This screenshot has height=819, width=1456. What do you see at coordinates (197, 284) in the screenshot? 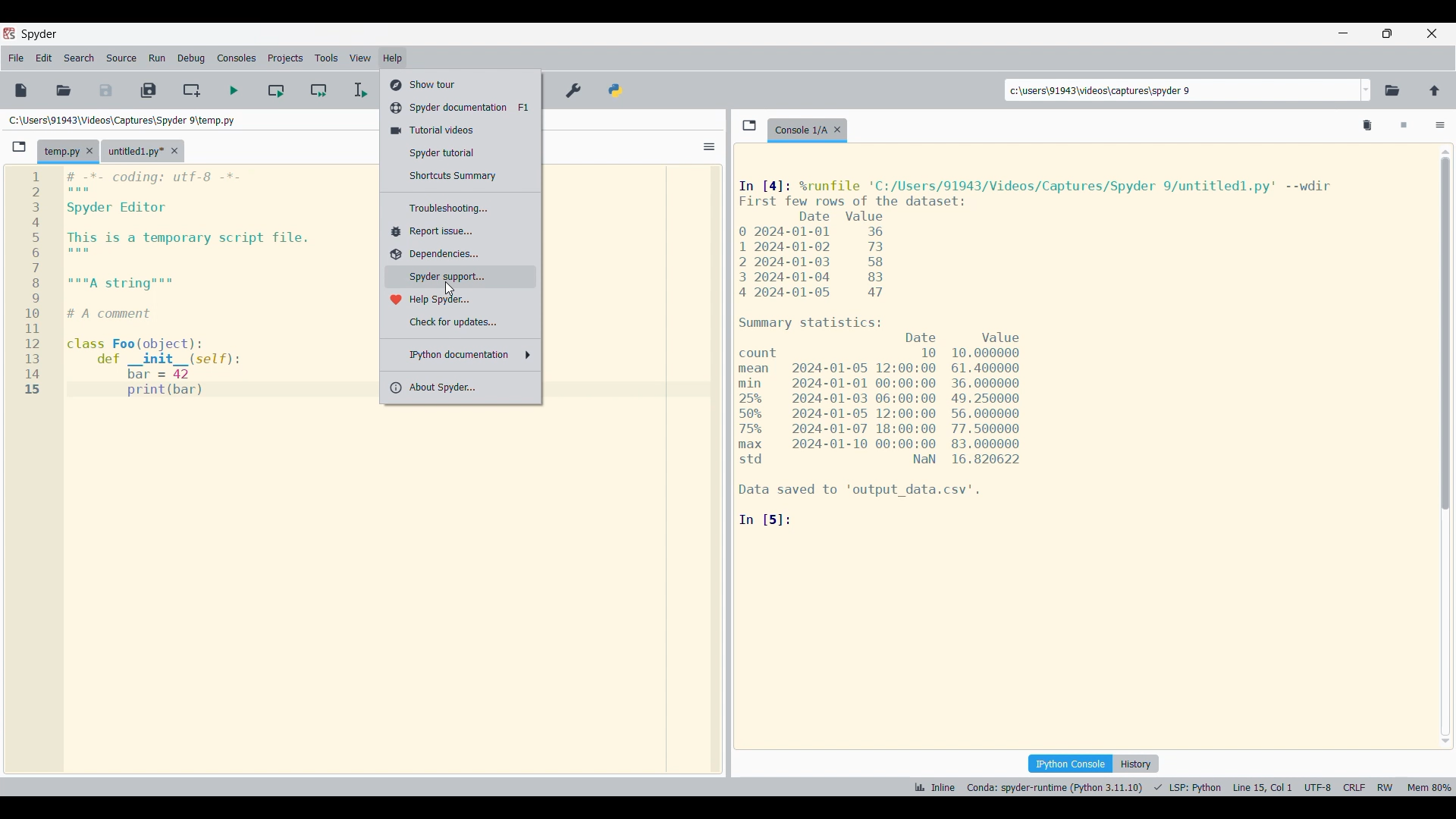
I see `Current logo` at bounding box center [197, 284].